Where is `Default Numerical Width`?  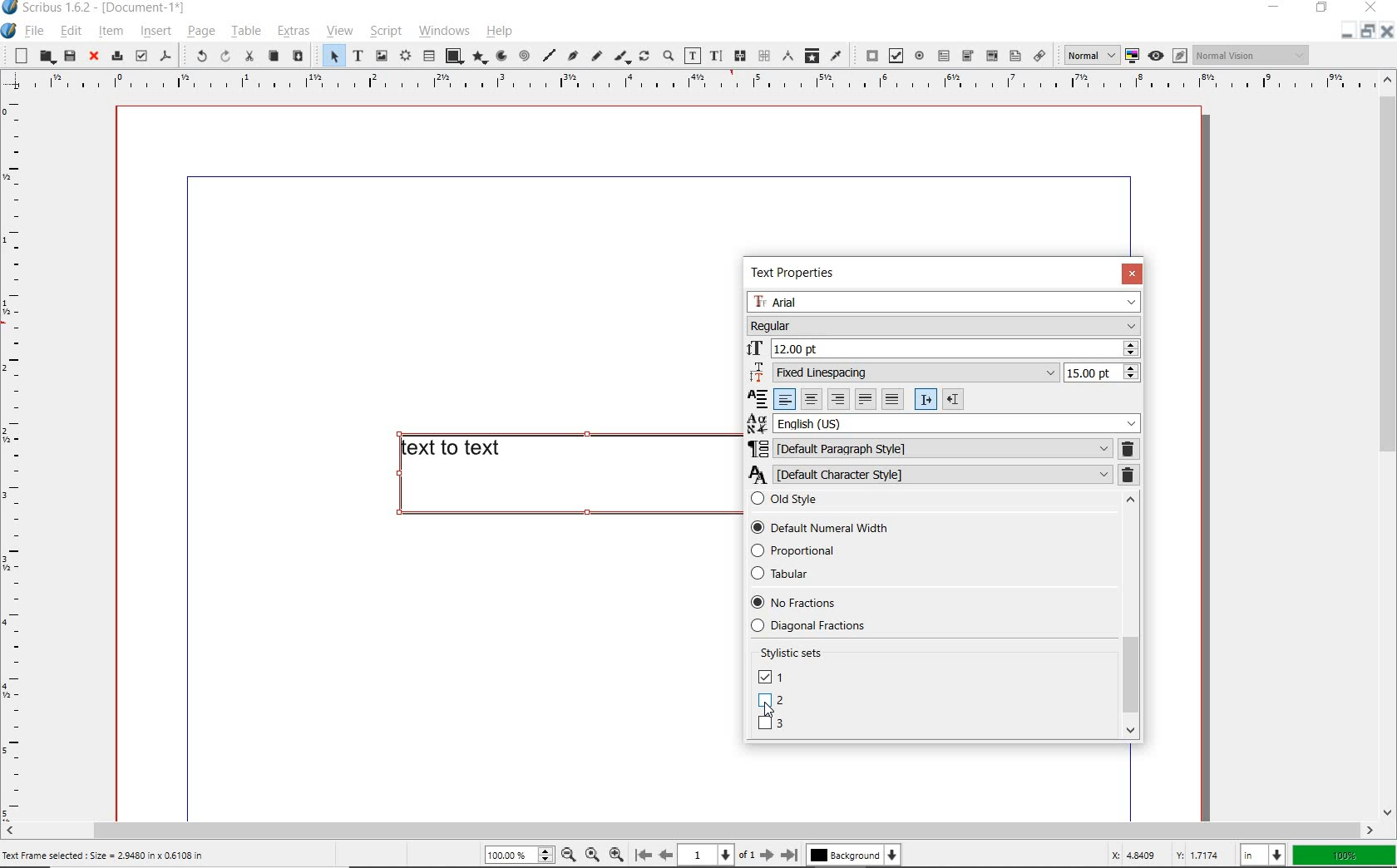
Default Numerical Width is located at coordinates (816, 528).